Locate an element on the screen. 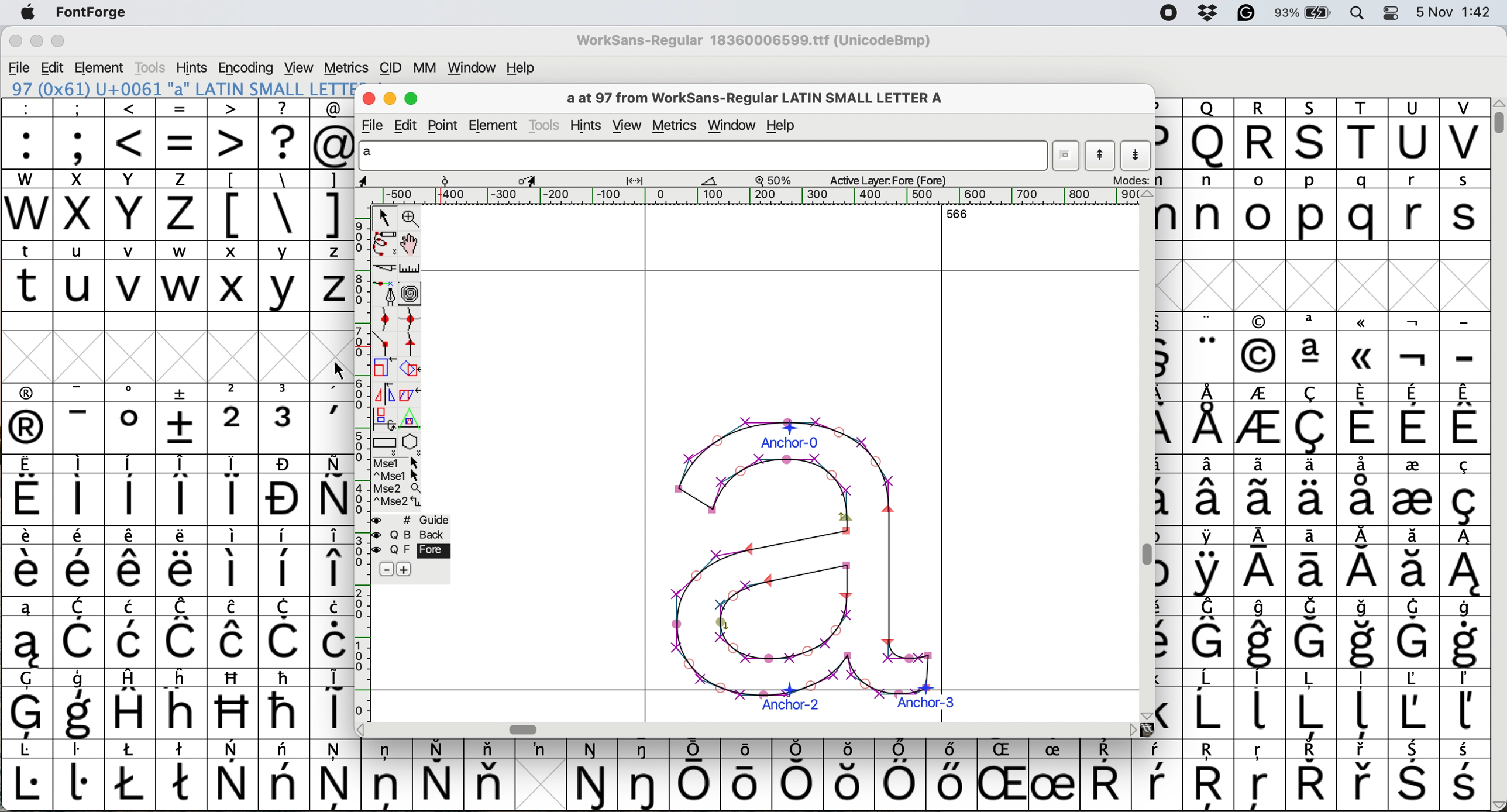  symbol is located at coordinates (1261, 421).